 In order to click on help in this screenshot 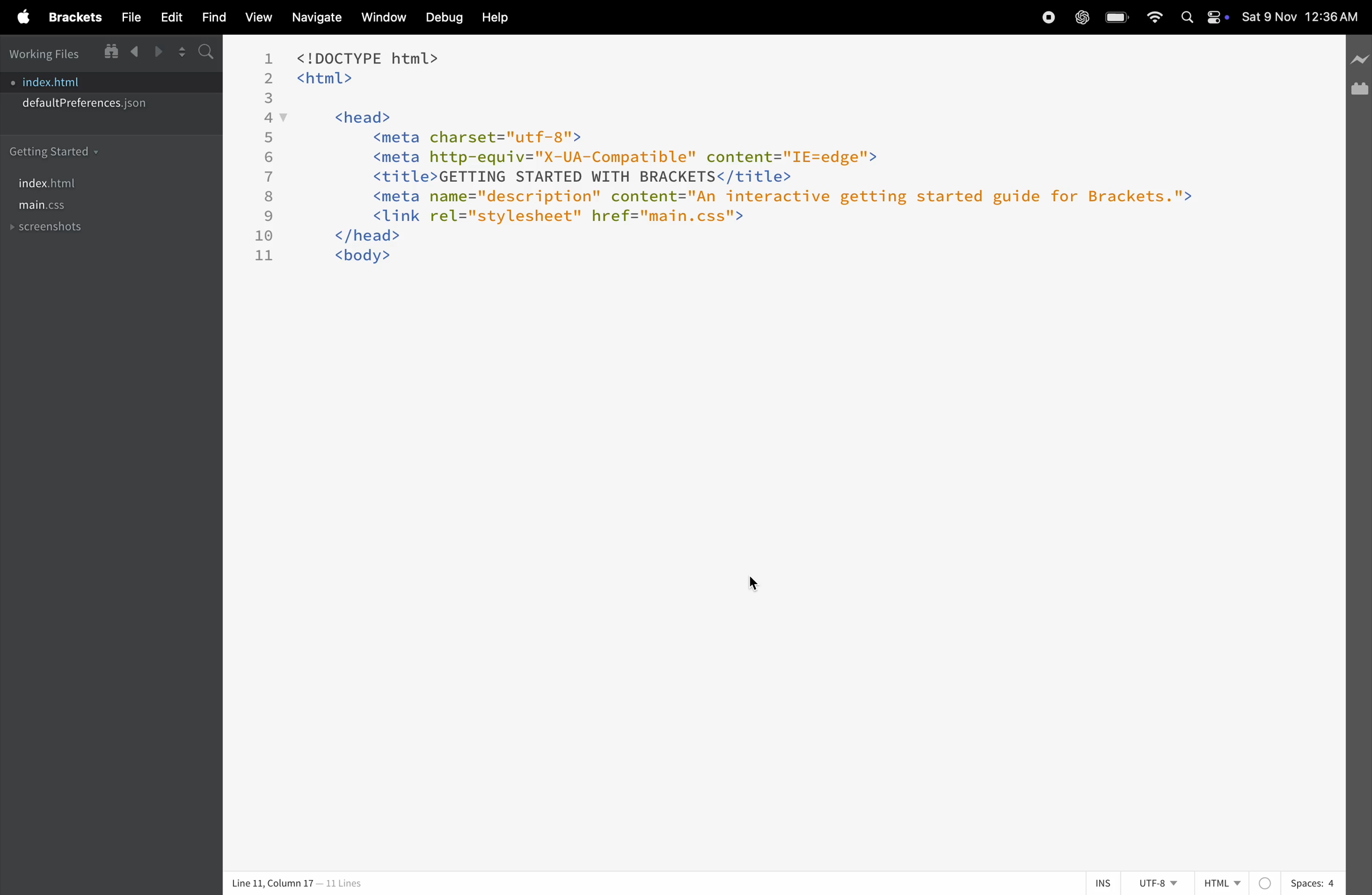, I will do `click(493, 19)`.